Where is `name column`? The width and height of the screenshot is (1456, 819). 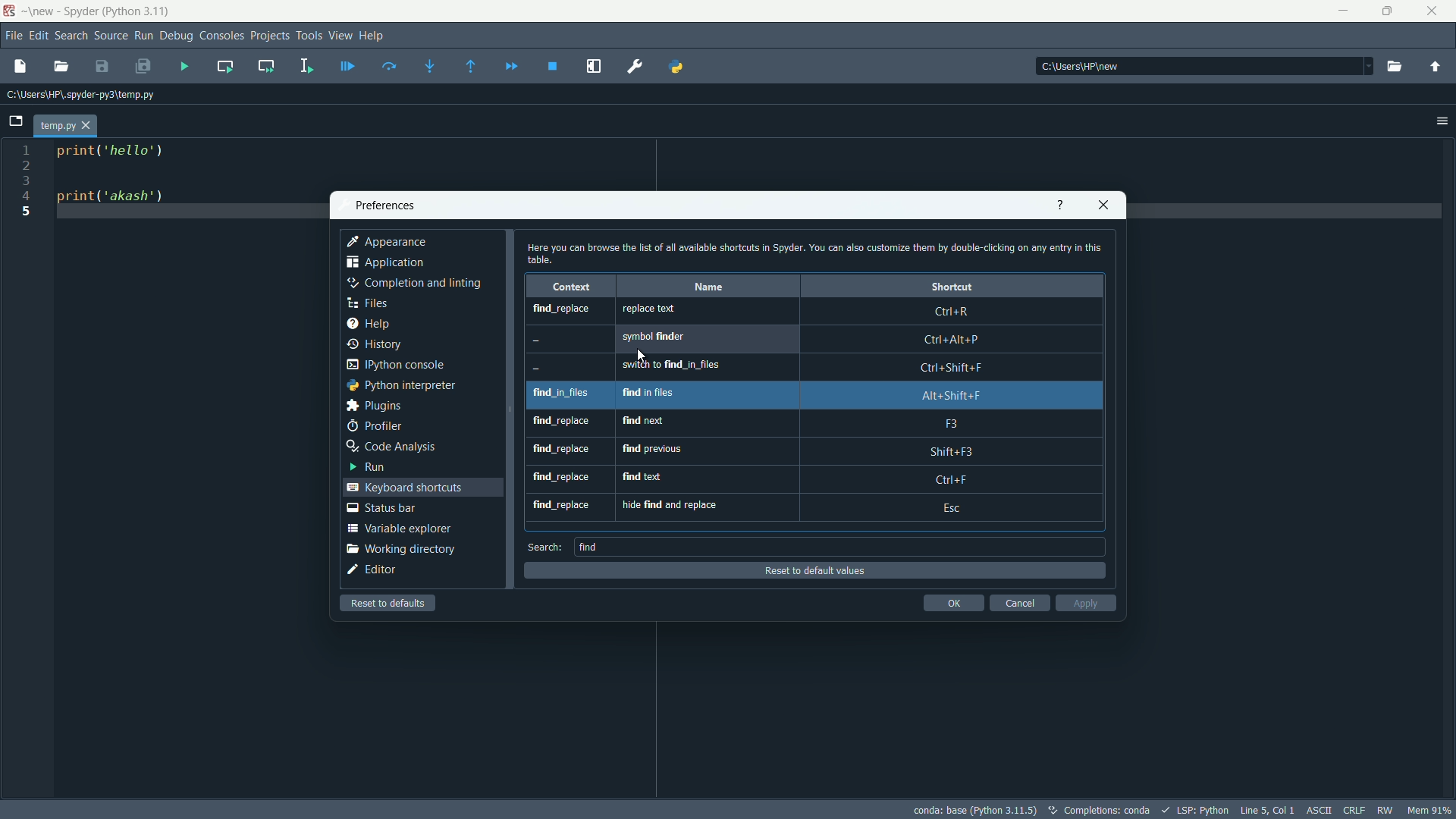 name column is located at coordinates (708, 285).